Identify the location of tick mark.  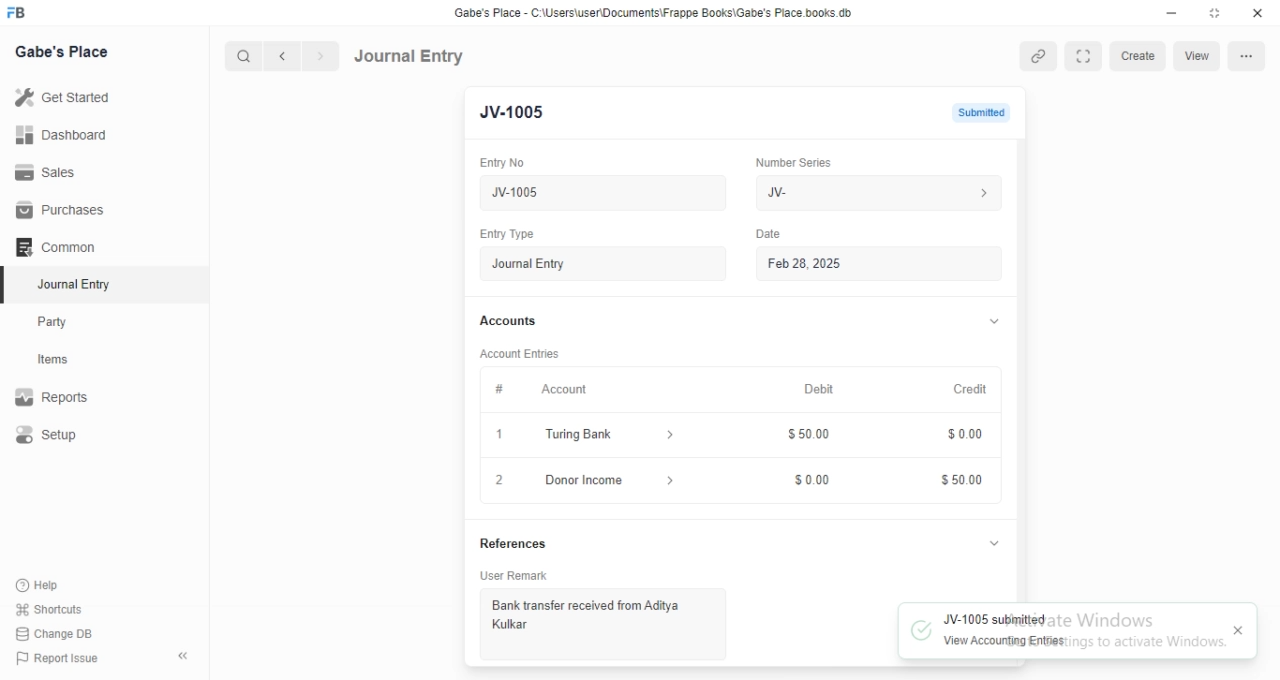
(919, 631).